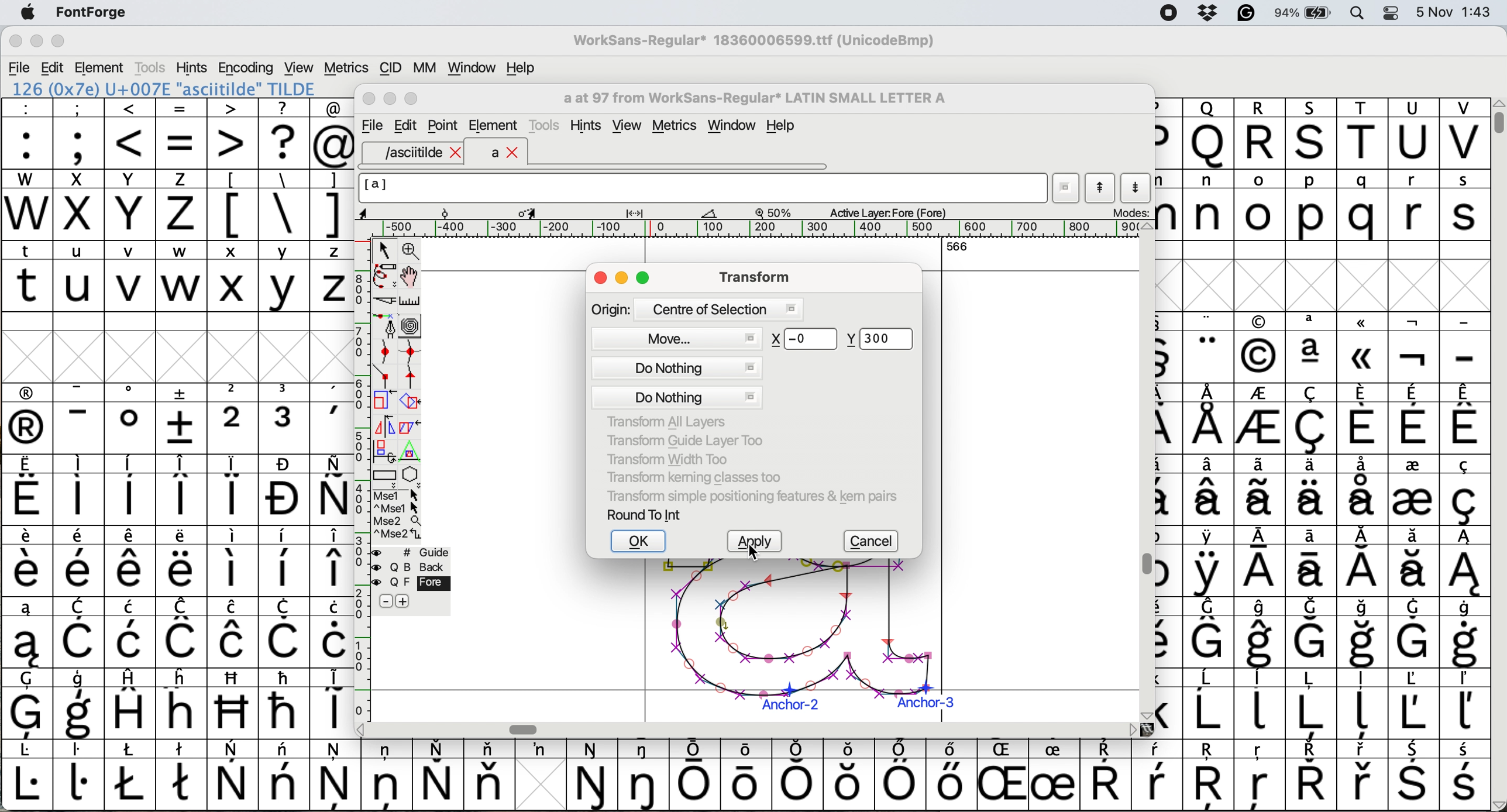 The image size is (1507, 812). What do you see at coordinates (387, 773) in the screenshot?
I see `symbol` at bounding box center [387, 773].